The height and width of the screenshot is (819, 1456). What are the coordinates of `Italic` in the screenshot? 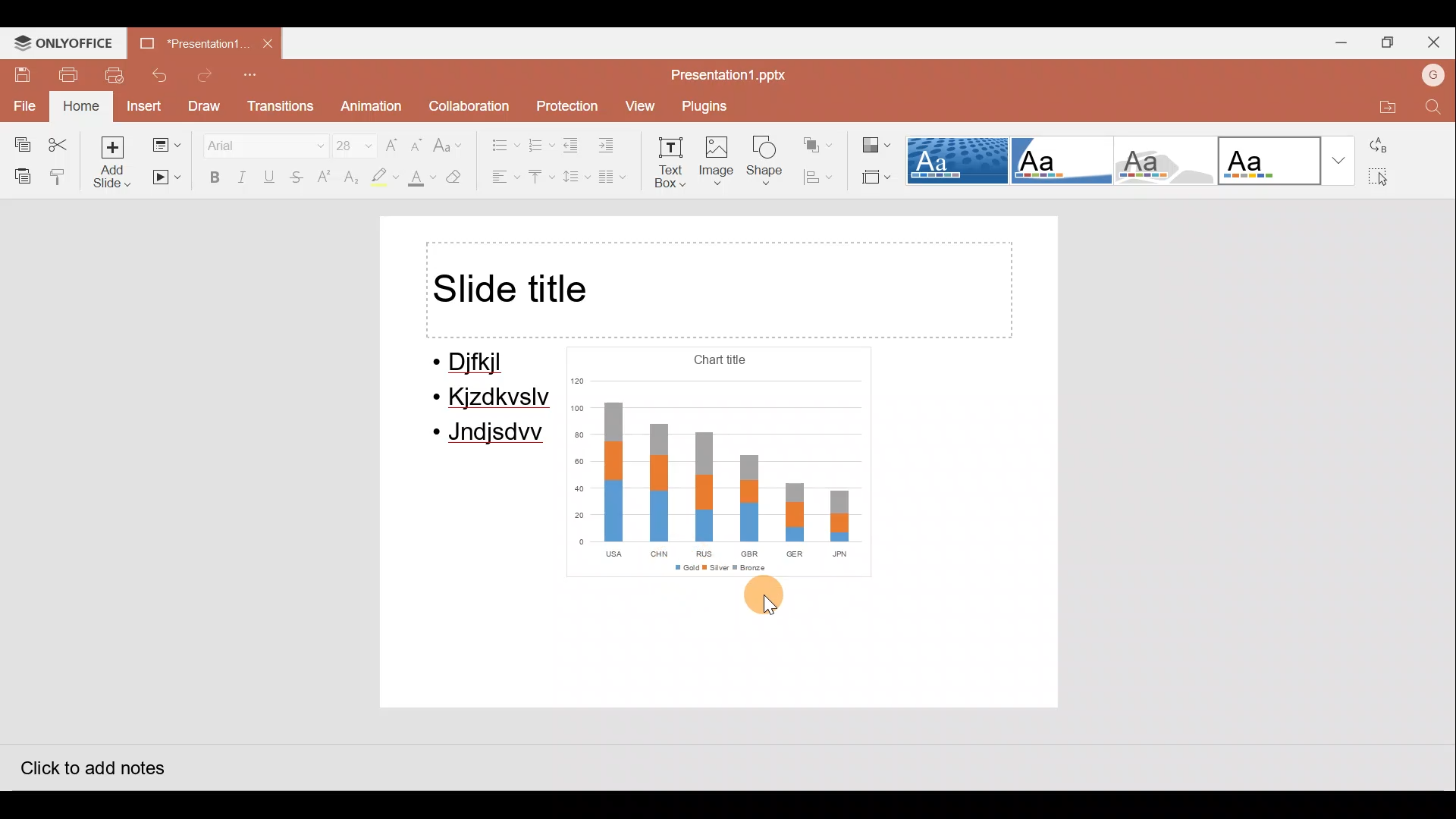 It's located at (243, 176).